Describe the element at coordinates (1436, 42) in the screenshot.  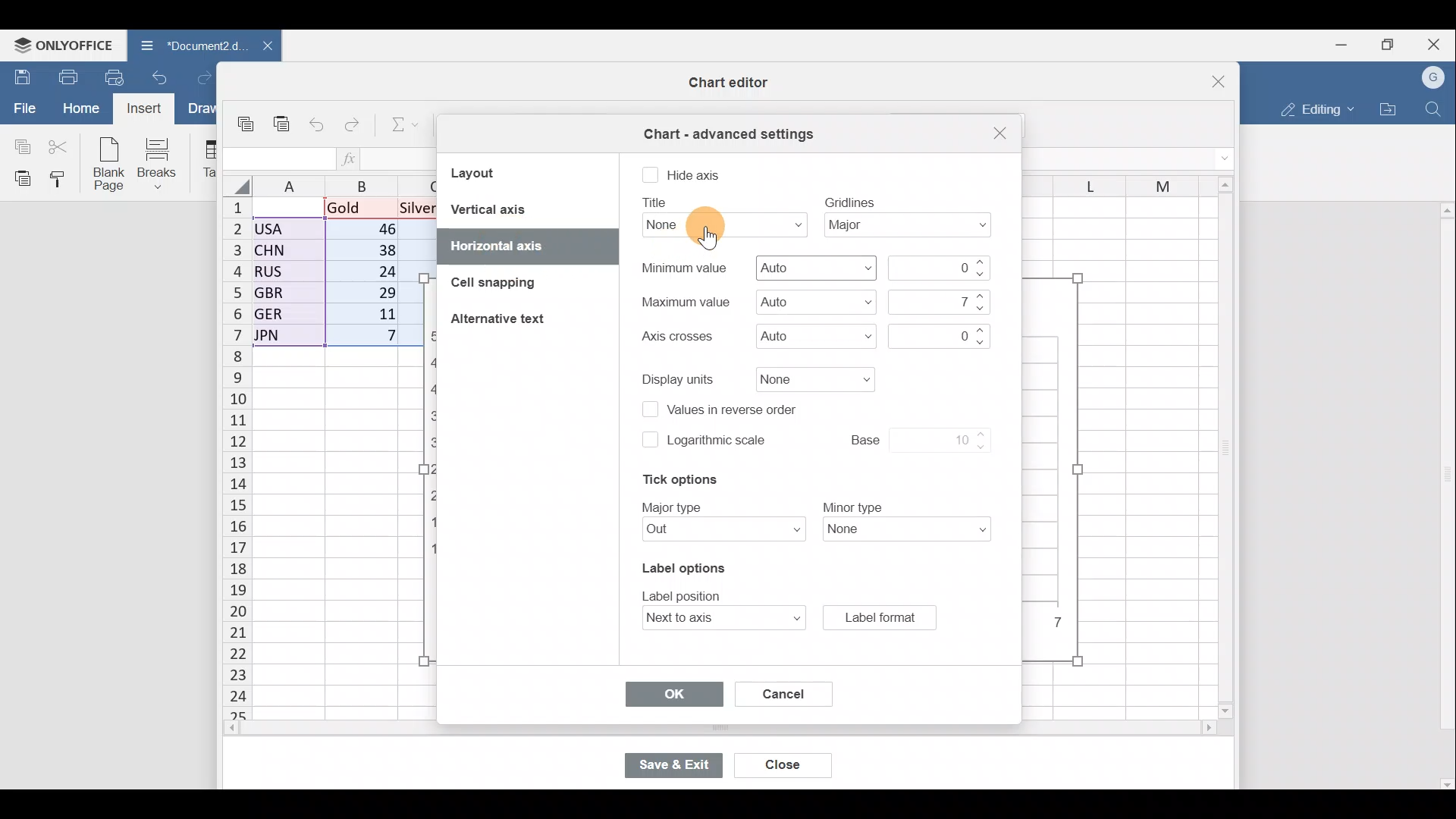
I see `Close` at that location.